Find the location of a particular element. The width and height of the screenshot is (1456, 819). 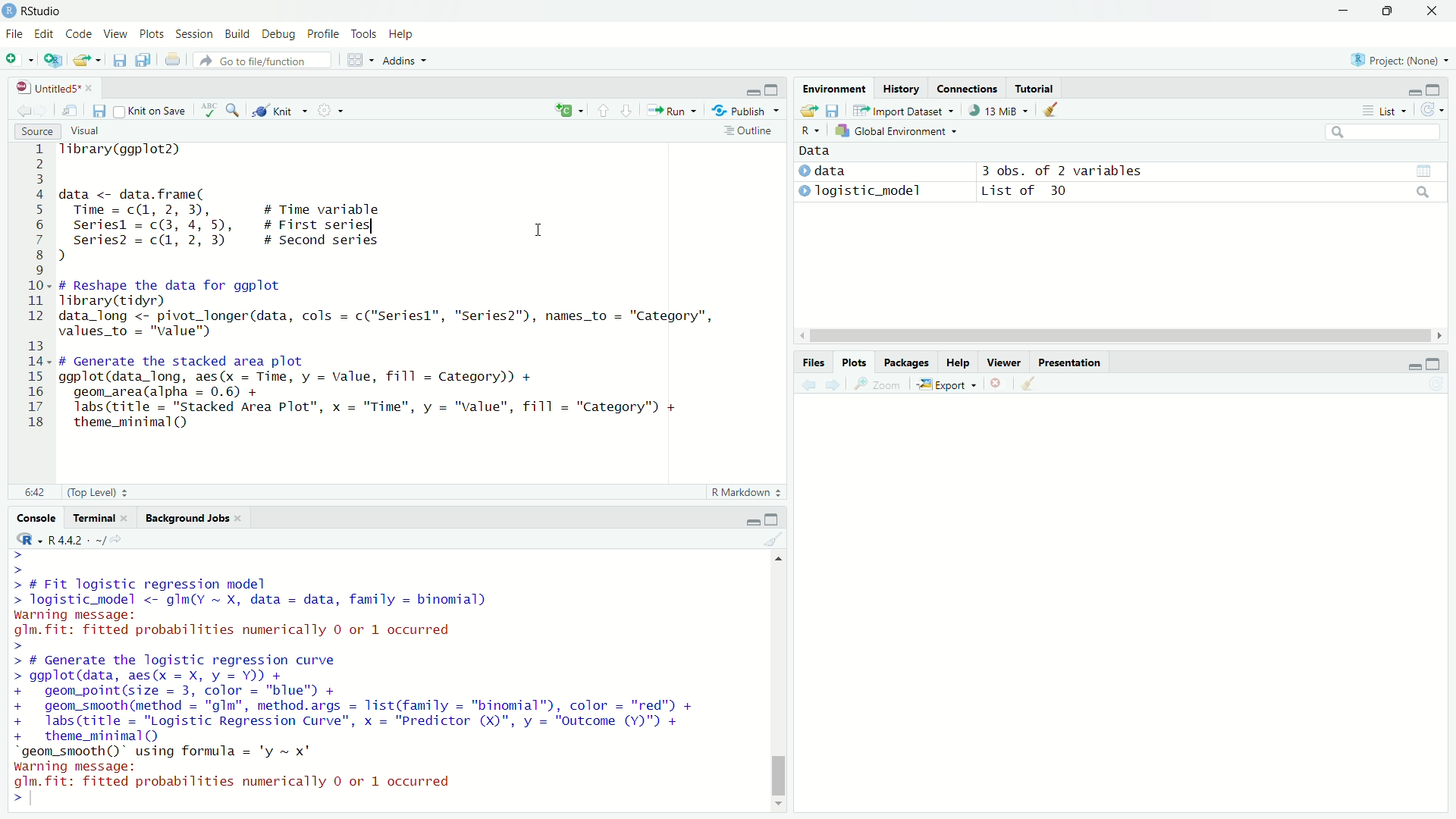

Run  is located at coordinates (675, 110).